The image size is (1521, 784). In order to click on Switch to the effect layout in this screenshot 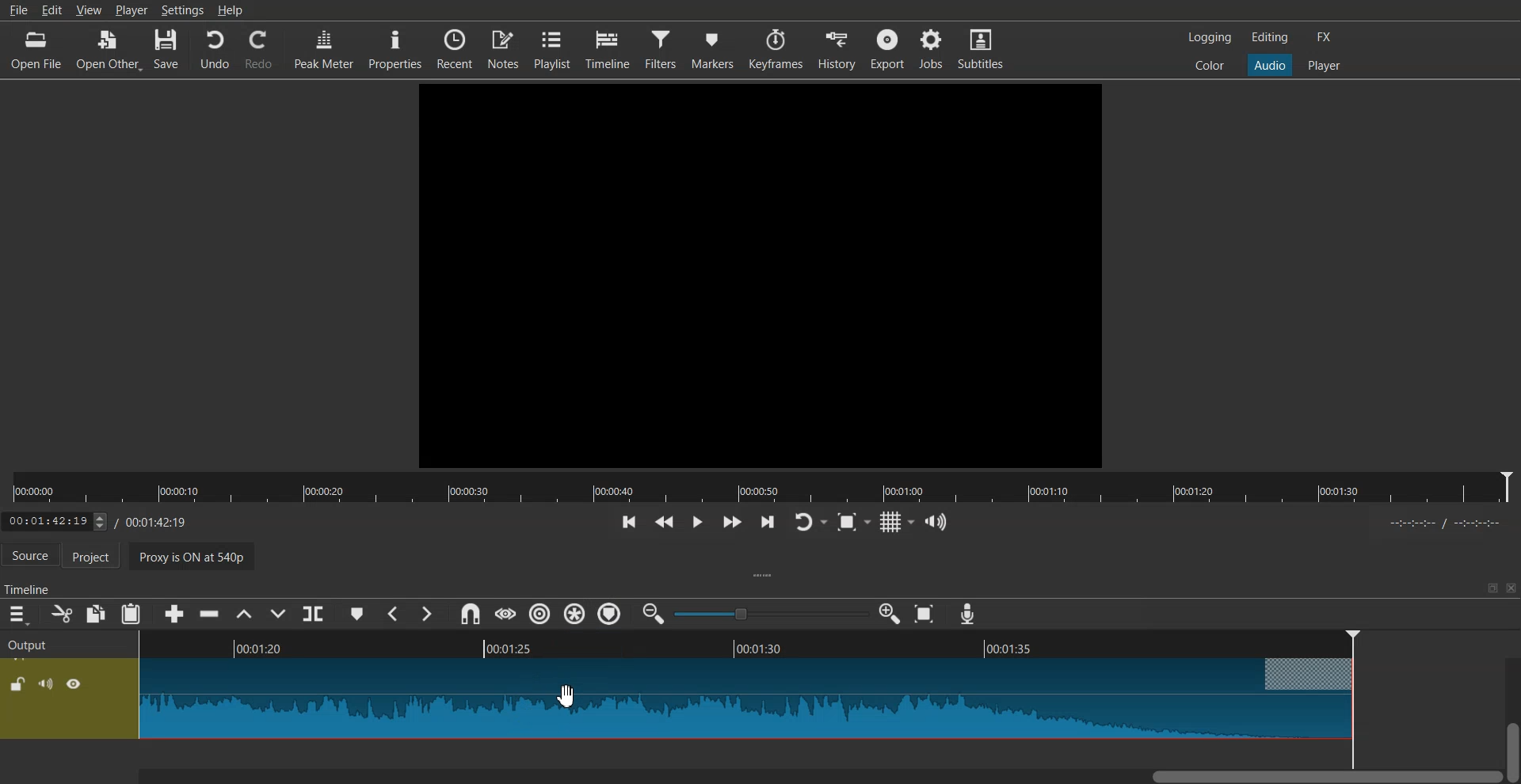, I will do `click(1328, 37)`.